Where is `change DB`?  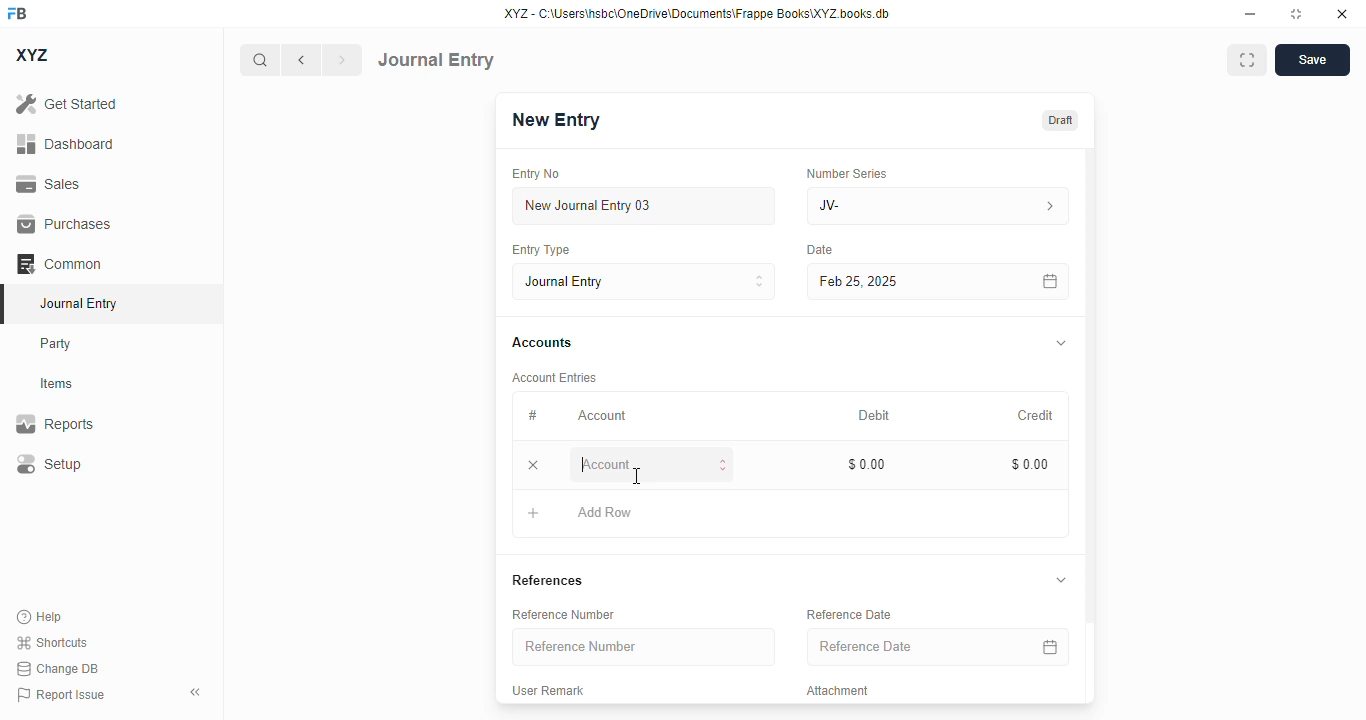 change DB is located at coordinates (58, 668).